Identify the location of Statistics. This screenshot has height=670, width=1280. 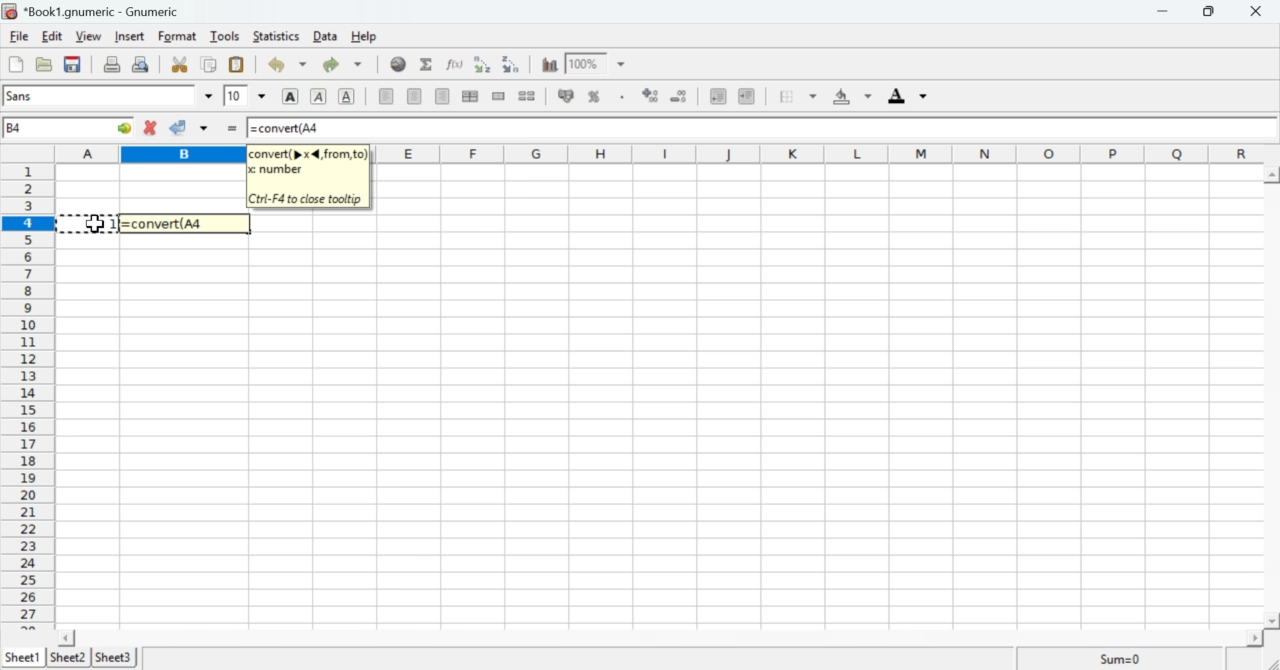
(277, 36).